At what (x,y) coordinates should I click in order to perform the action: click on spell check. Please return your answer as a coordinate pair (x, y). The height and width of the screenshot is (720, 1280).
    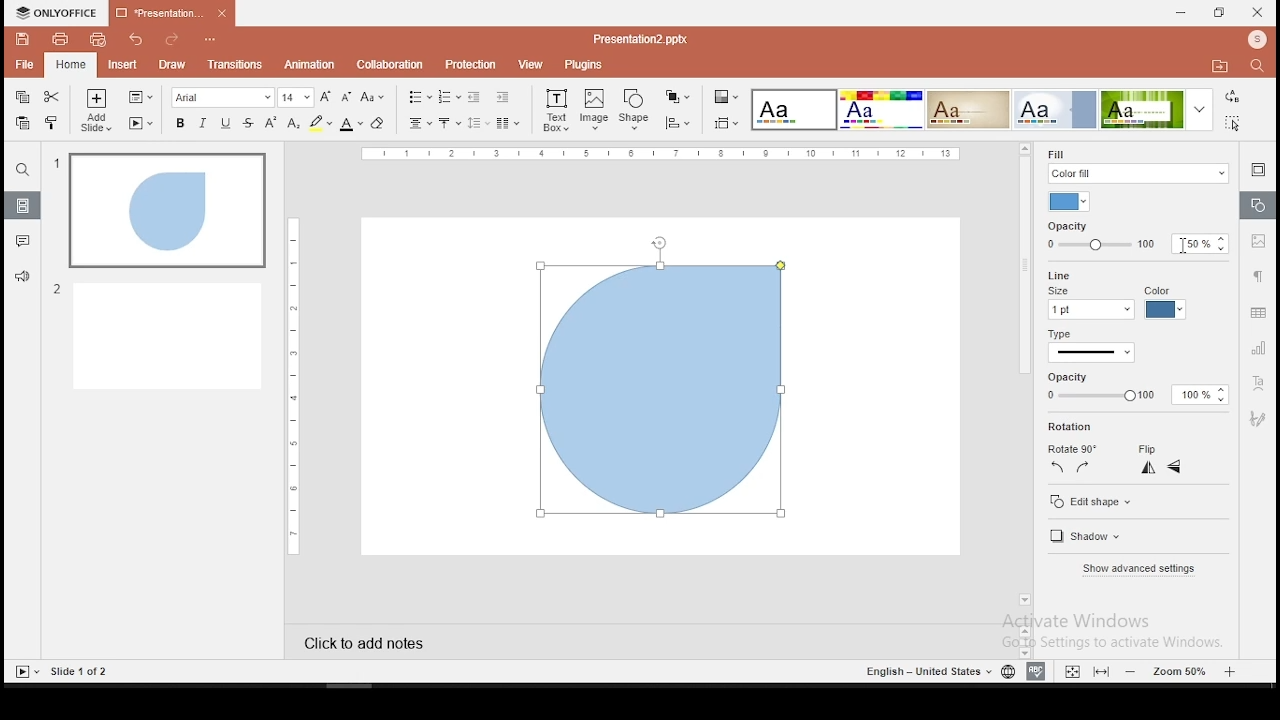
    Looking at the image, I should click on (1036, 672).